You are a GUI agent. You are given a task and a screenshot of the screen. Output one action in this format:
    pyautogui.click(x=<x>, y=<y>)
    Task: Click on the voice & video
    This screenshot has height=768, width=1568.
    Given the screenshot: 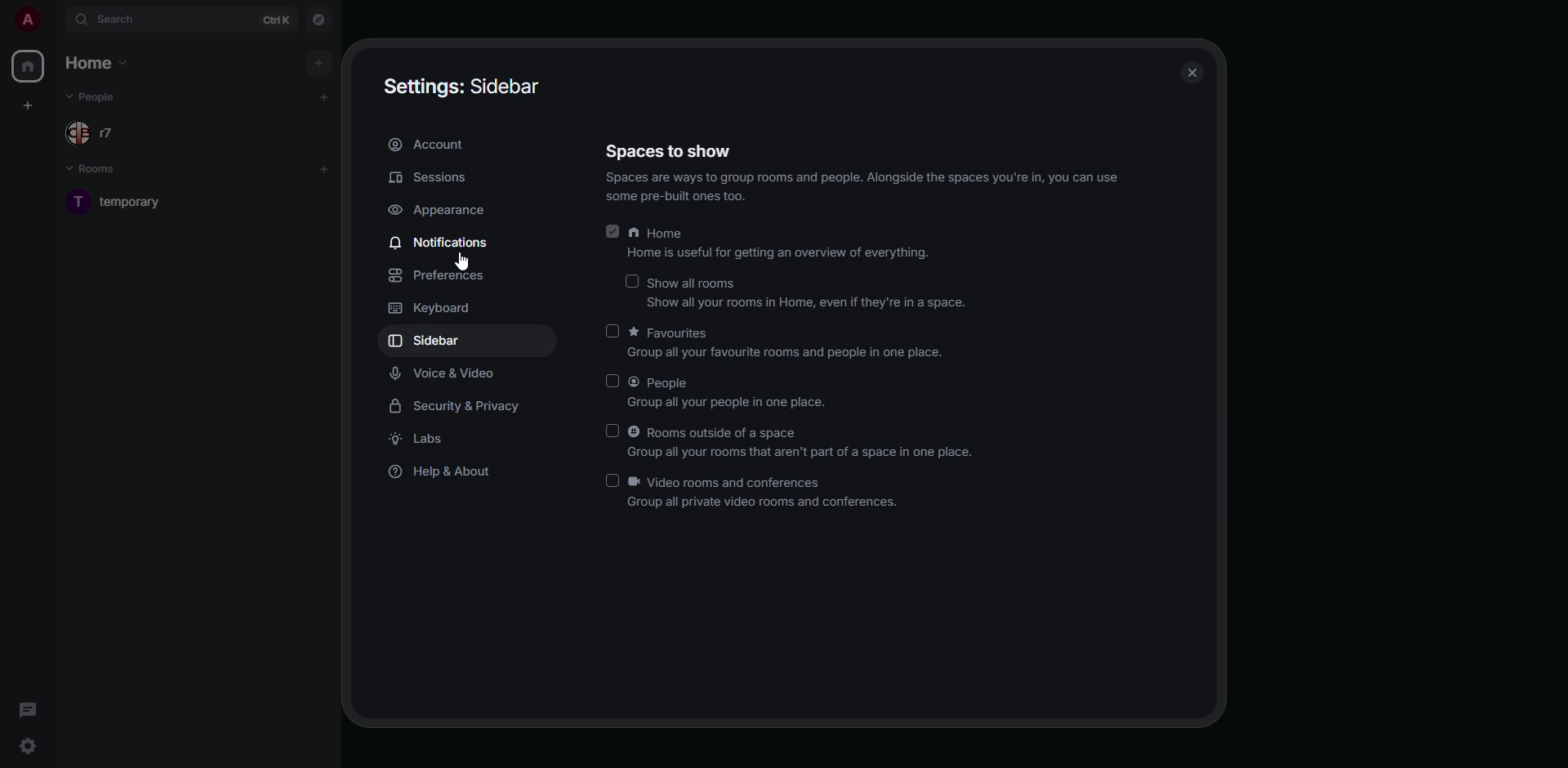 What is the action you would take?
    pyautogui.click(x=446, y=371)
    